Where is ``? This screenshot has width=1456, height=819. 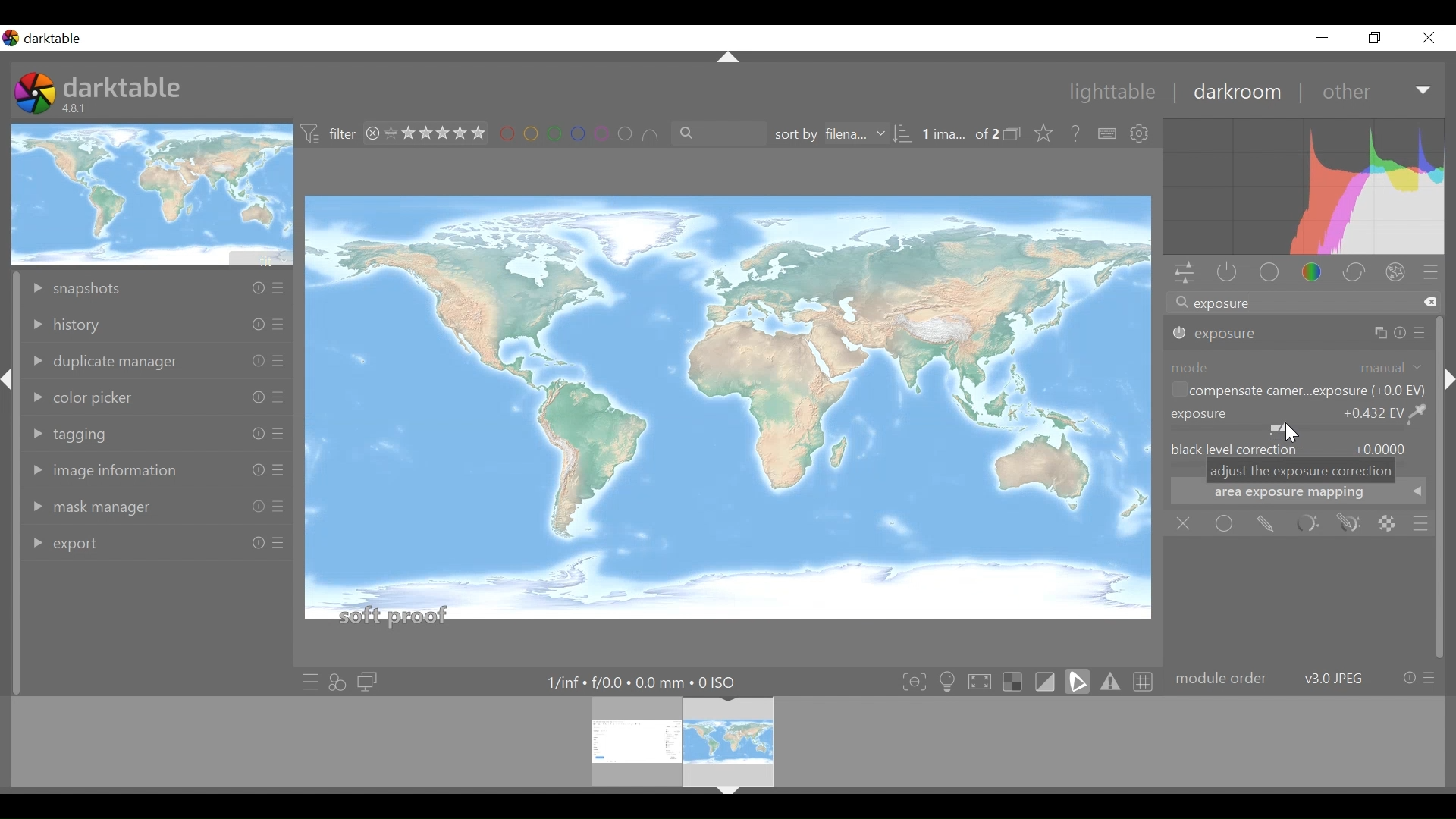  is located at coordinates (10, 391).